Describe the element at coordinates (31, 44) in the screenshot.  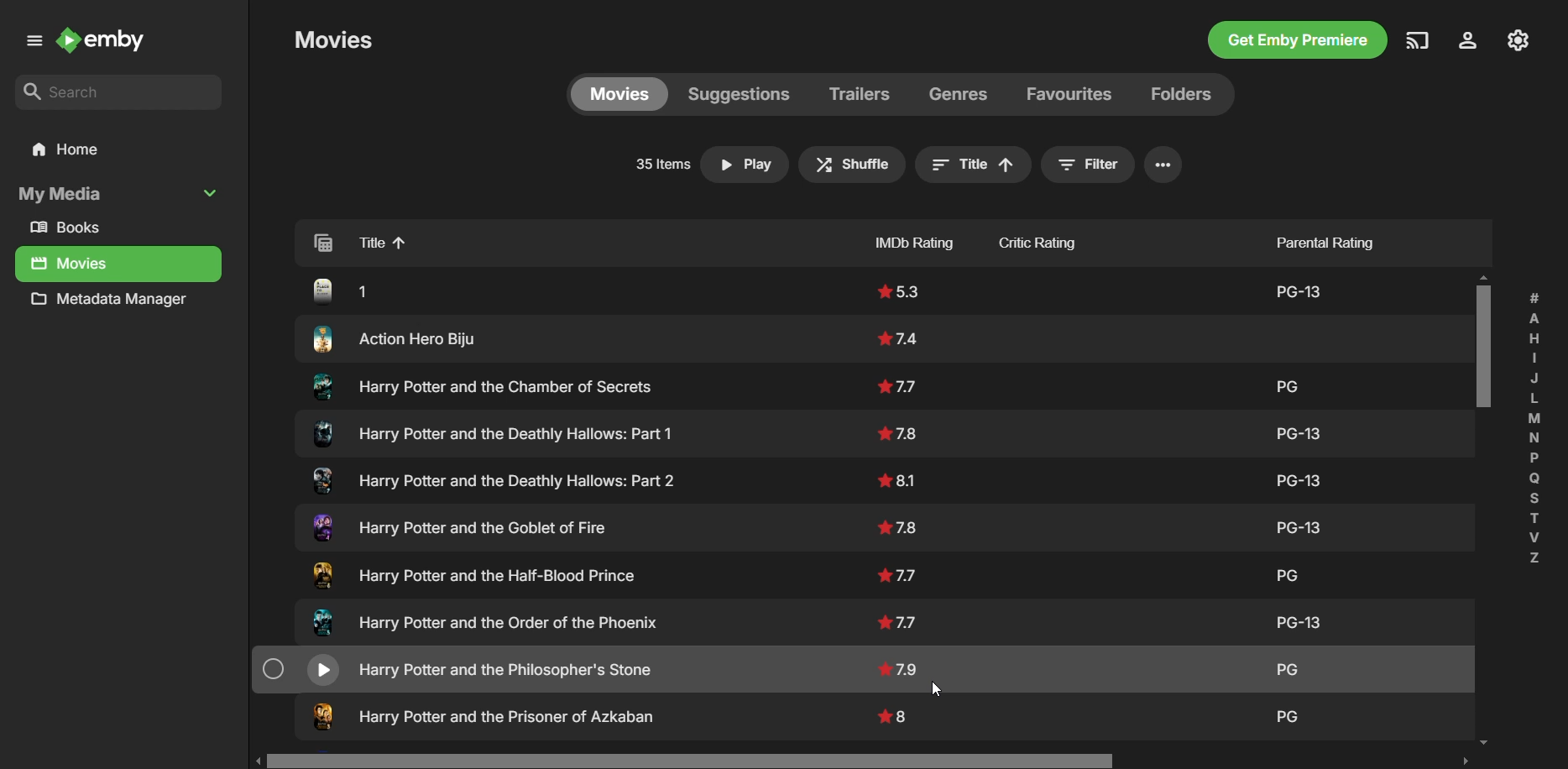
I see `Expand/Collapse` at that location.